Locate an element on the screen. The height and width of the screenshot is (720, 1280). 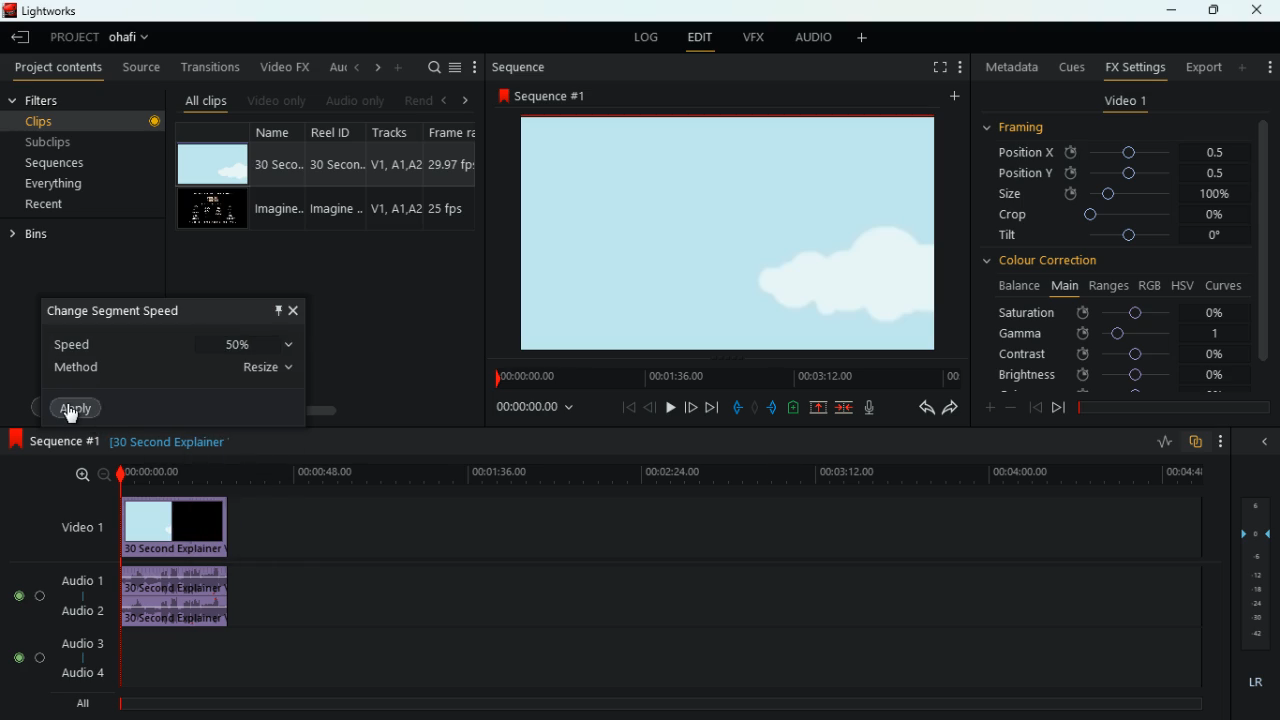
minimize is located at coordinates (1264, 440).